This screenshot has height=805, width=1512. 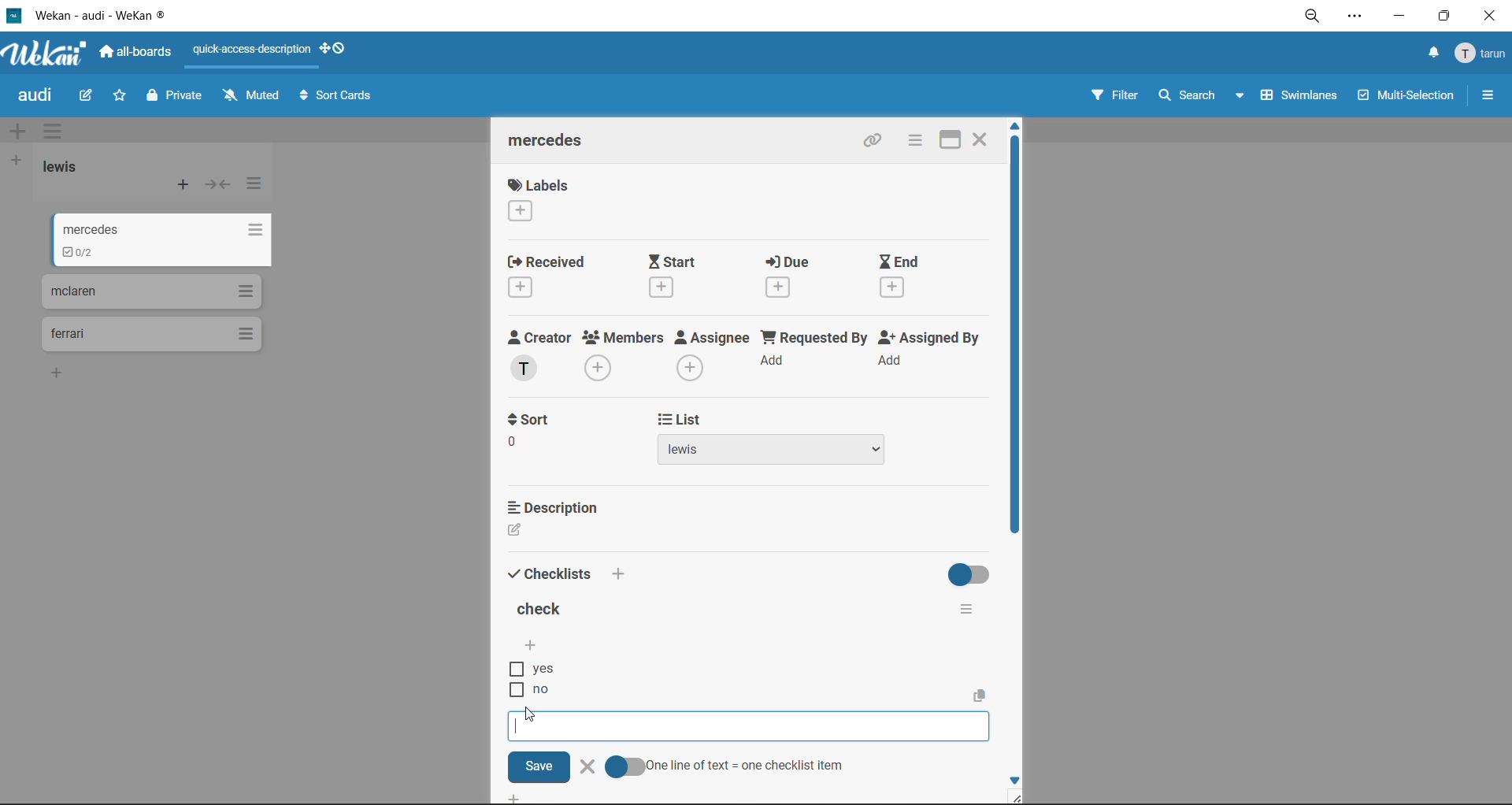 I want to click on board title, so click(x=37, y=98).